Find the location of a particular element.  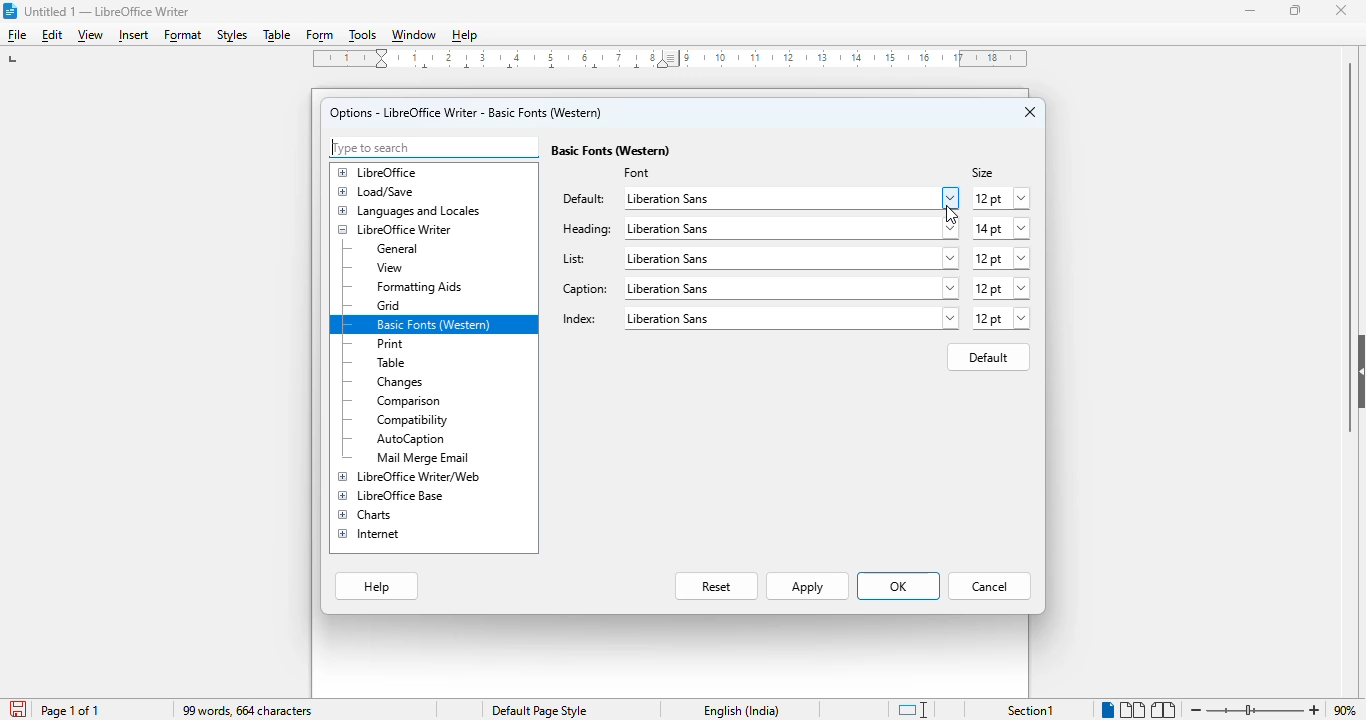

center tab is located at coordinates (555, 72).